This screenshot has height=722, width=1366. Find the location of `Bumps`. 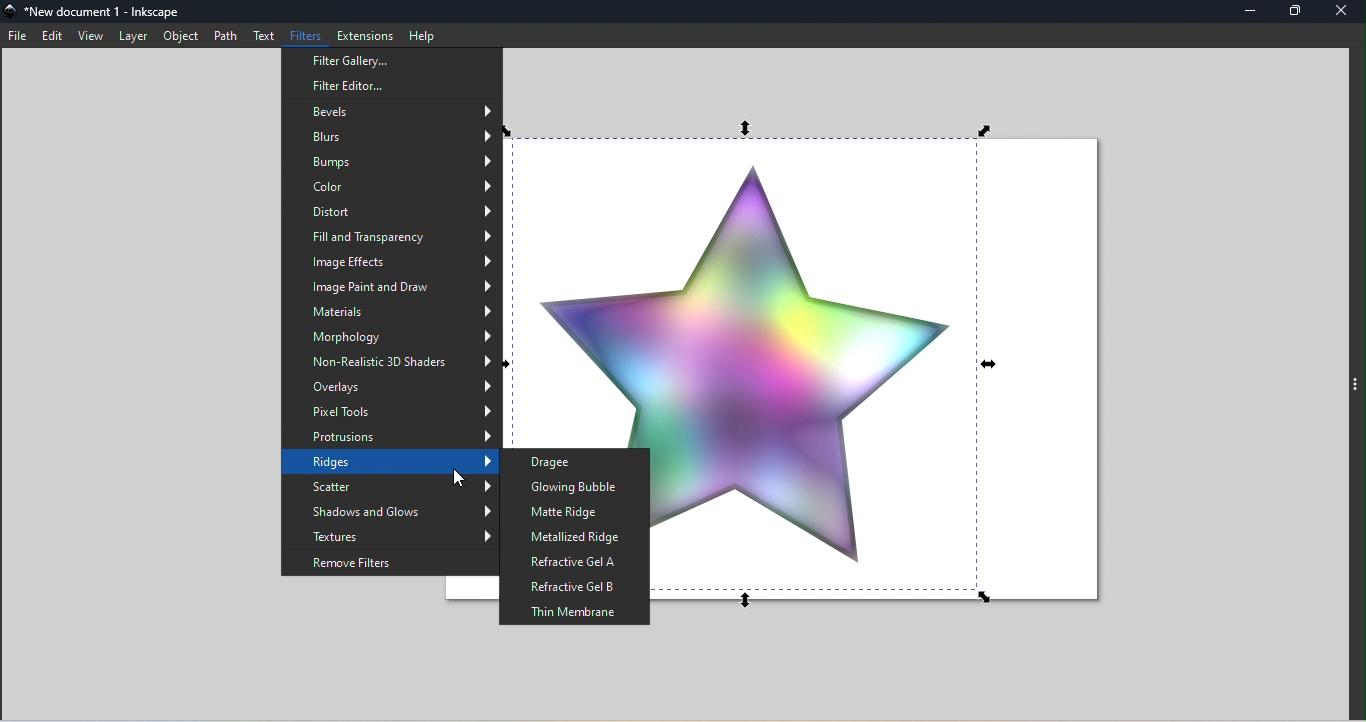

Bumps is located at coordinates (391, 162).